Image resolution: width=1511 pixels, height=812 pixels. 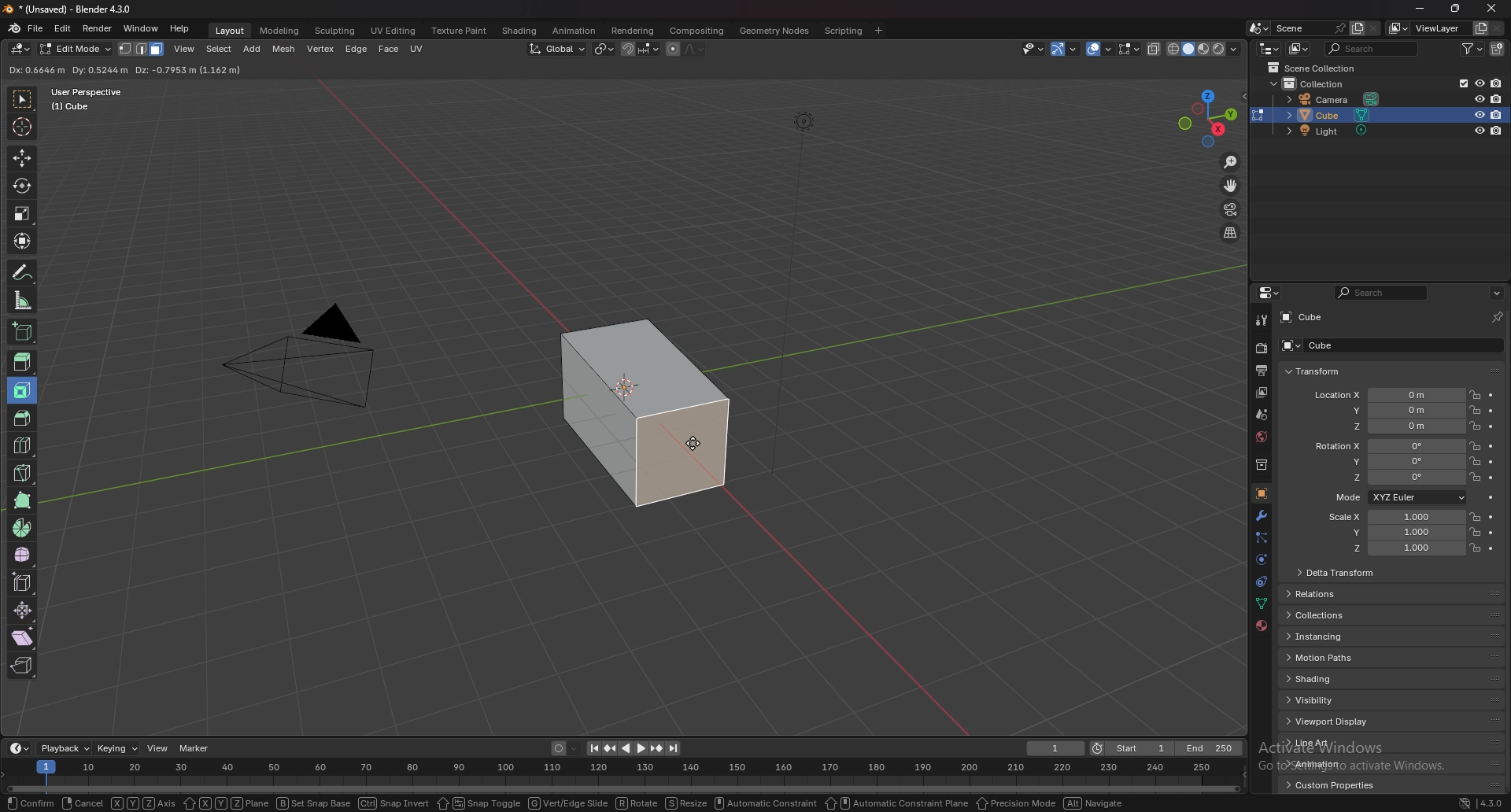 I want to click on animate property, so click(x=1491, y=396).